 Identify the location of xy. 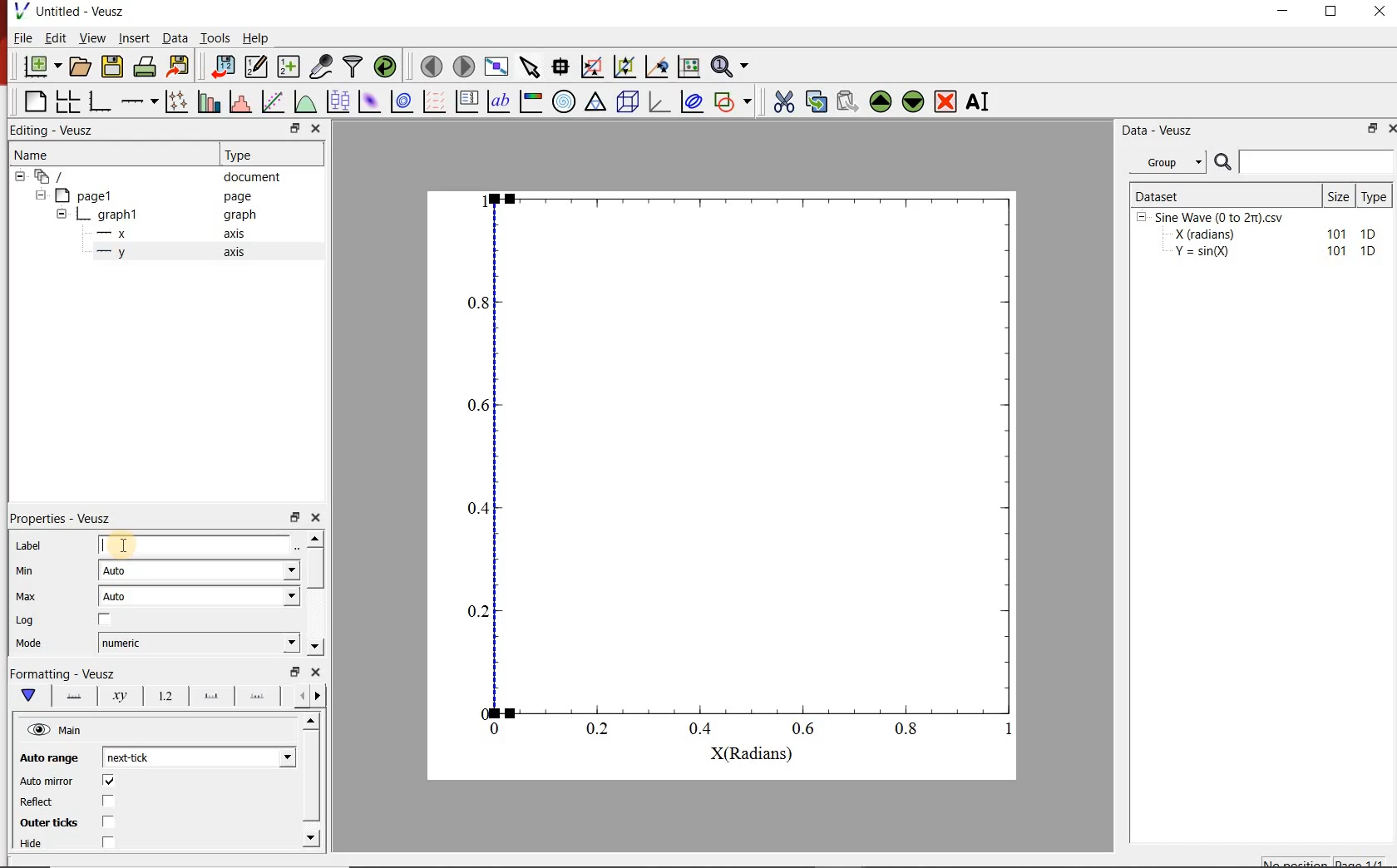
(116, 696).